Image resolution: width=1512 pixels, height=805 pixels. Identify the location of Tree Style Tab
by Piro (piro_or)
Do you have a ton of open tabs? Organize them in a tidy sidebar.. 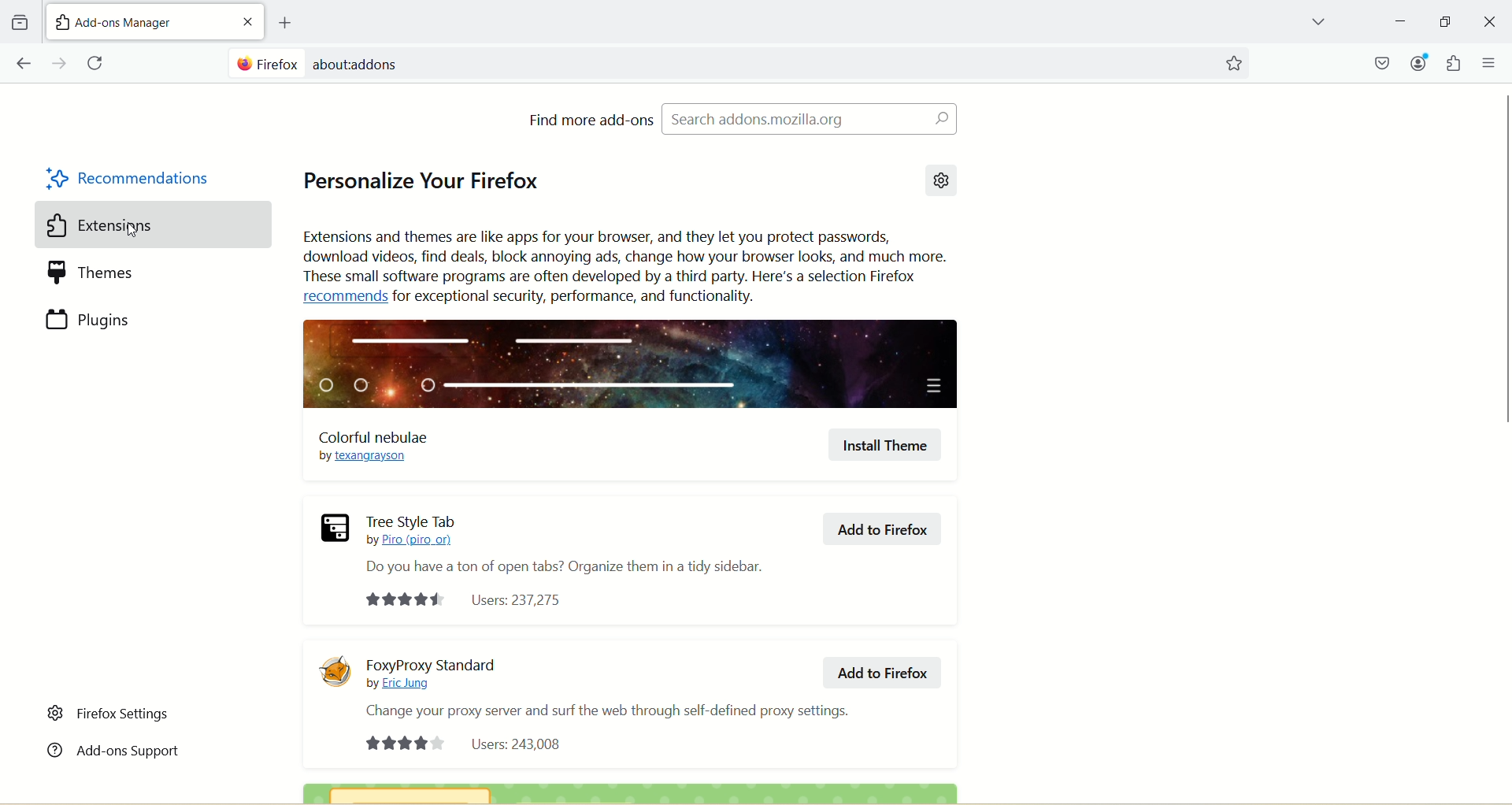
(565, 546).